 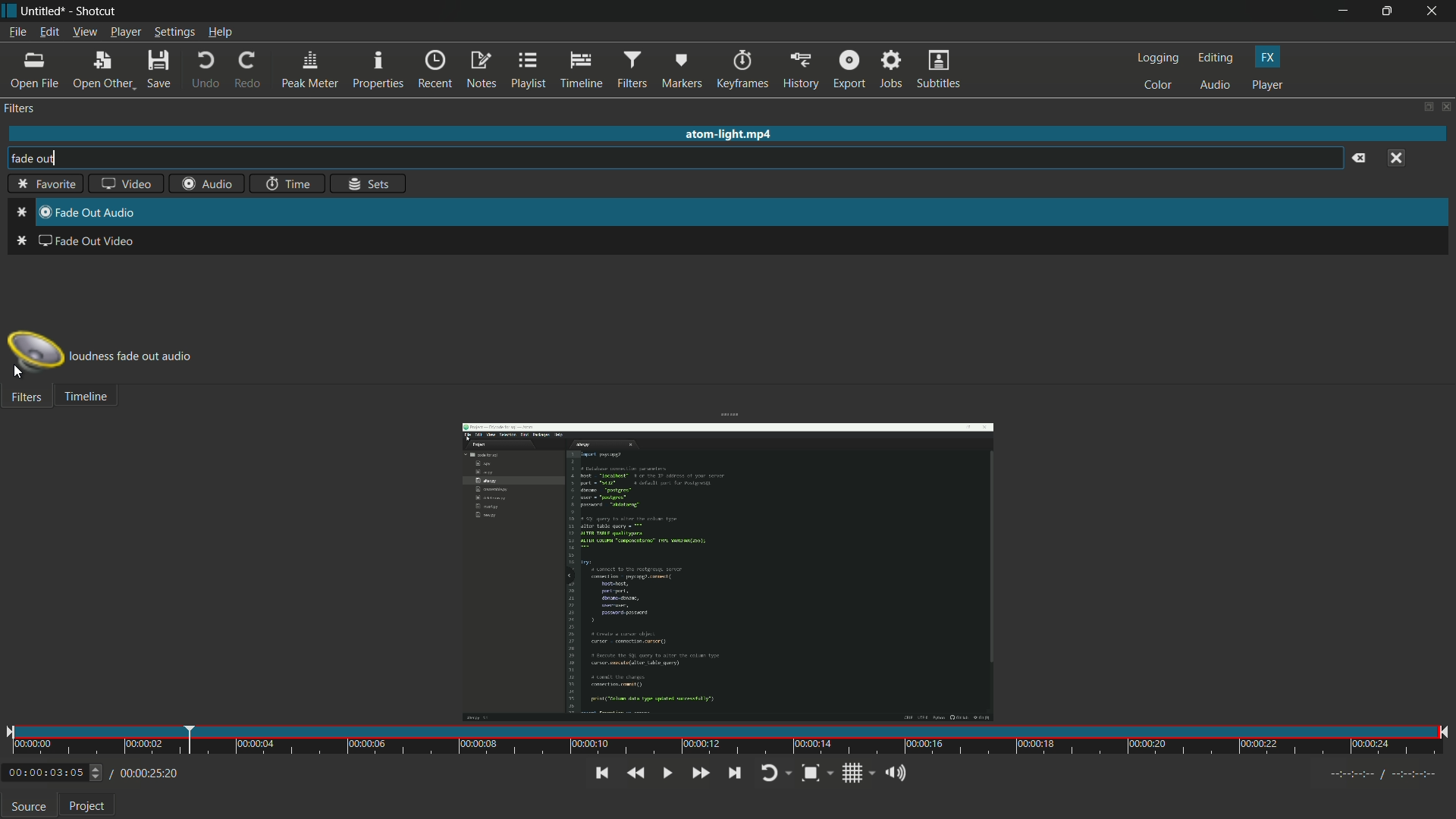 What do you see at coordinates (25, 398) in the screenshot?
I see `filters` at bounding box center [25, 398].